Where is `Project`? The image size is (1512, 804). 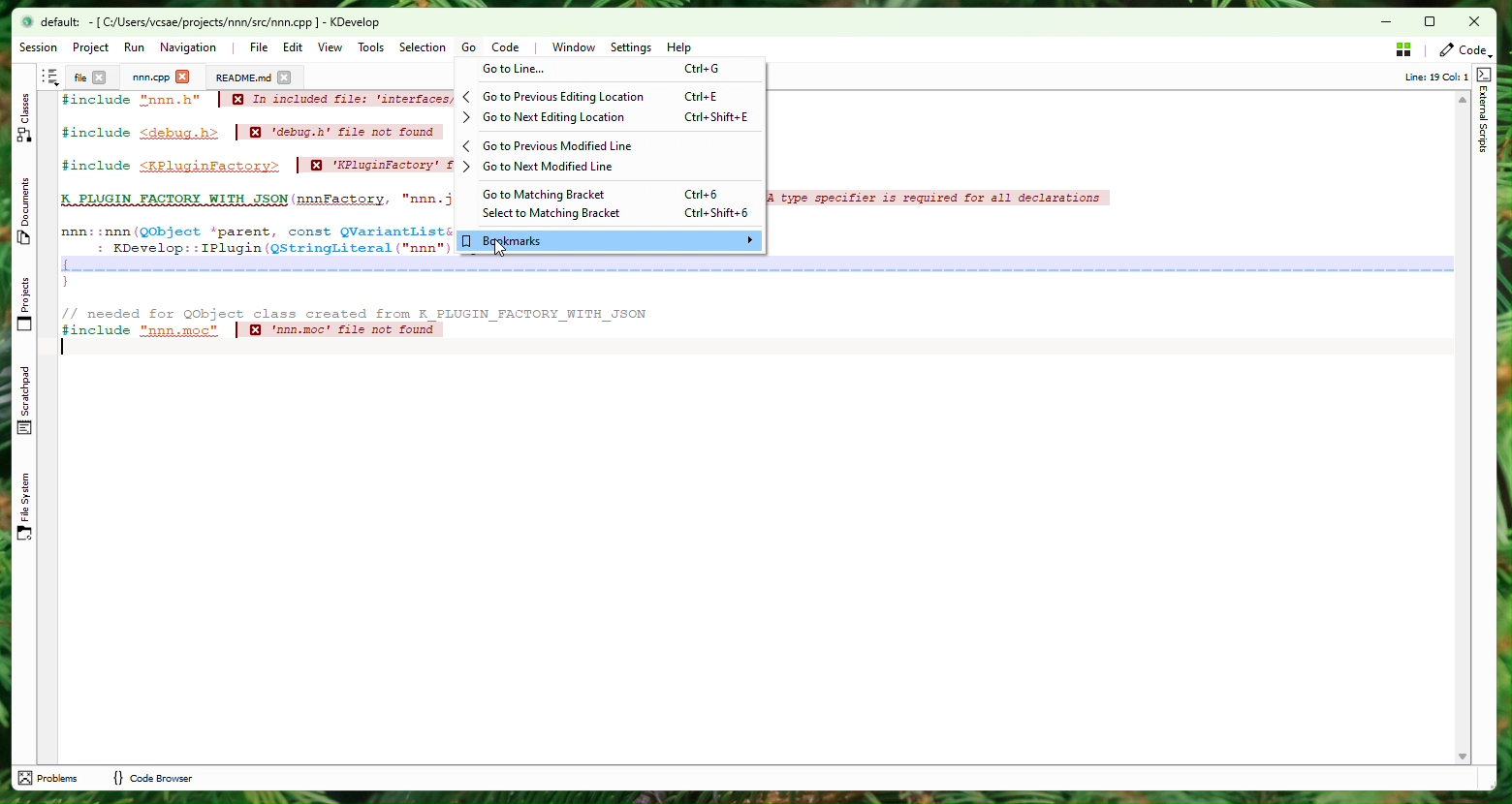 Project is located at coordinates (90, 47).